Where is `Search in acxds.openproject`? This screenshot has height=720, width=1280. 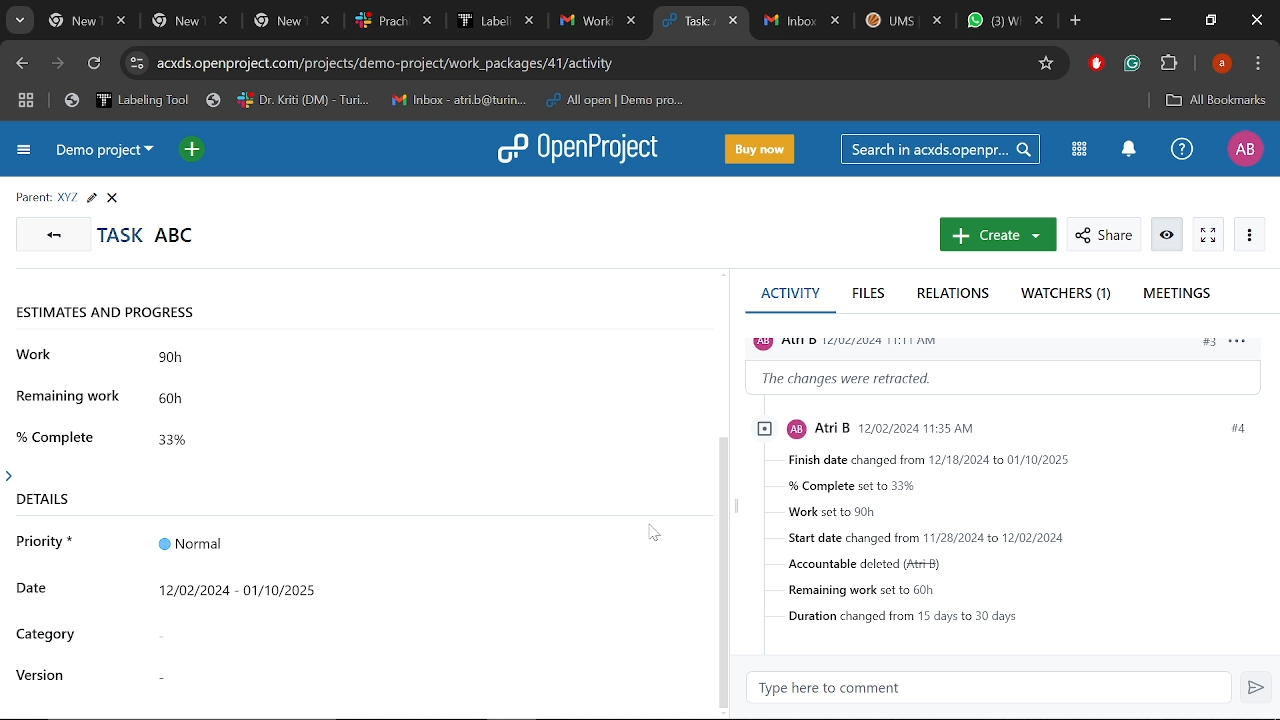
Search in acxds.openproject is located at coordinates (940, 149).